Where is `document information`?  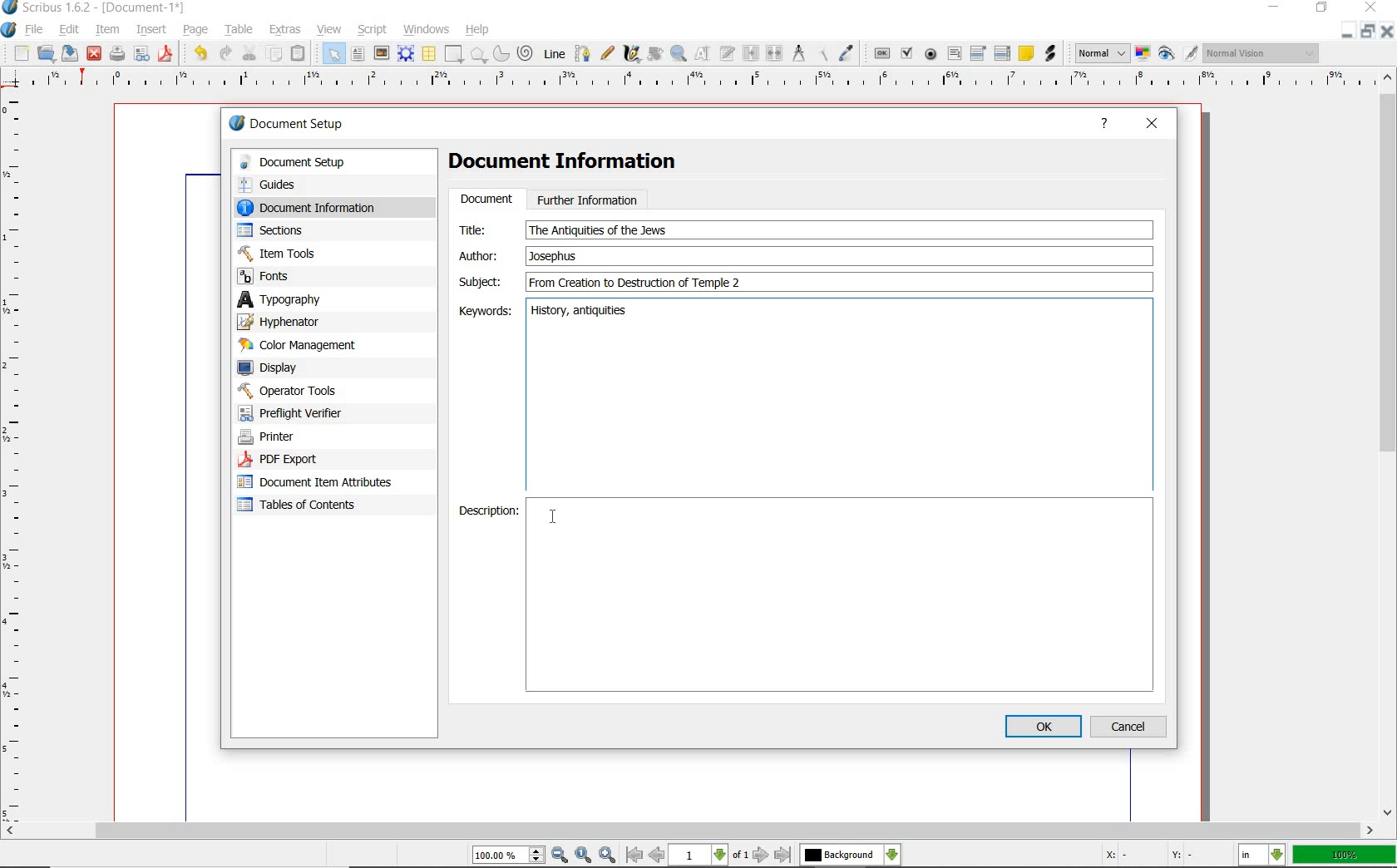
document information is located at coordinates (323, 207).